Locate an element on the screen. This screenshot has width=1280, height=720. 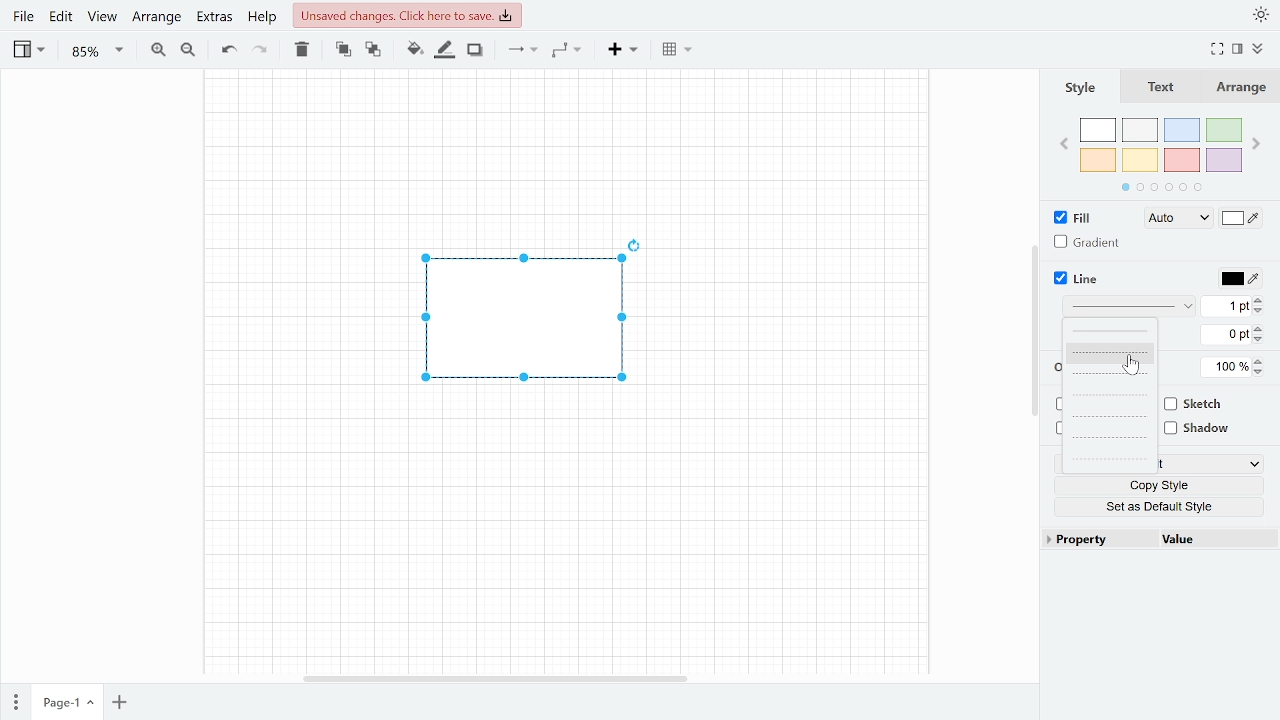
Undo is located at coordinates (226, 50).